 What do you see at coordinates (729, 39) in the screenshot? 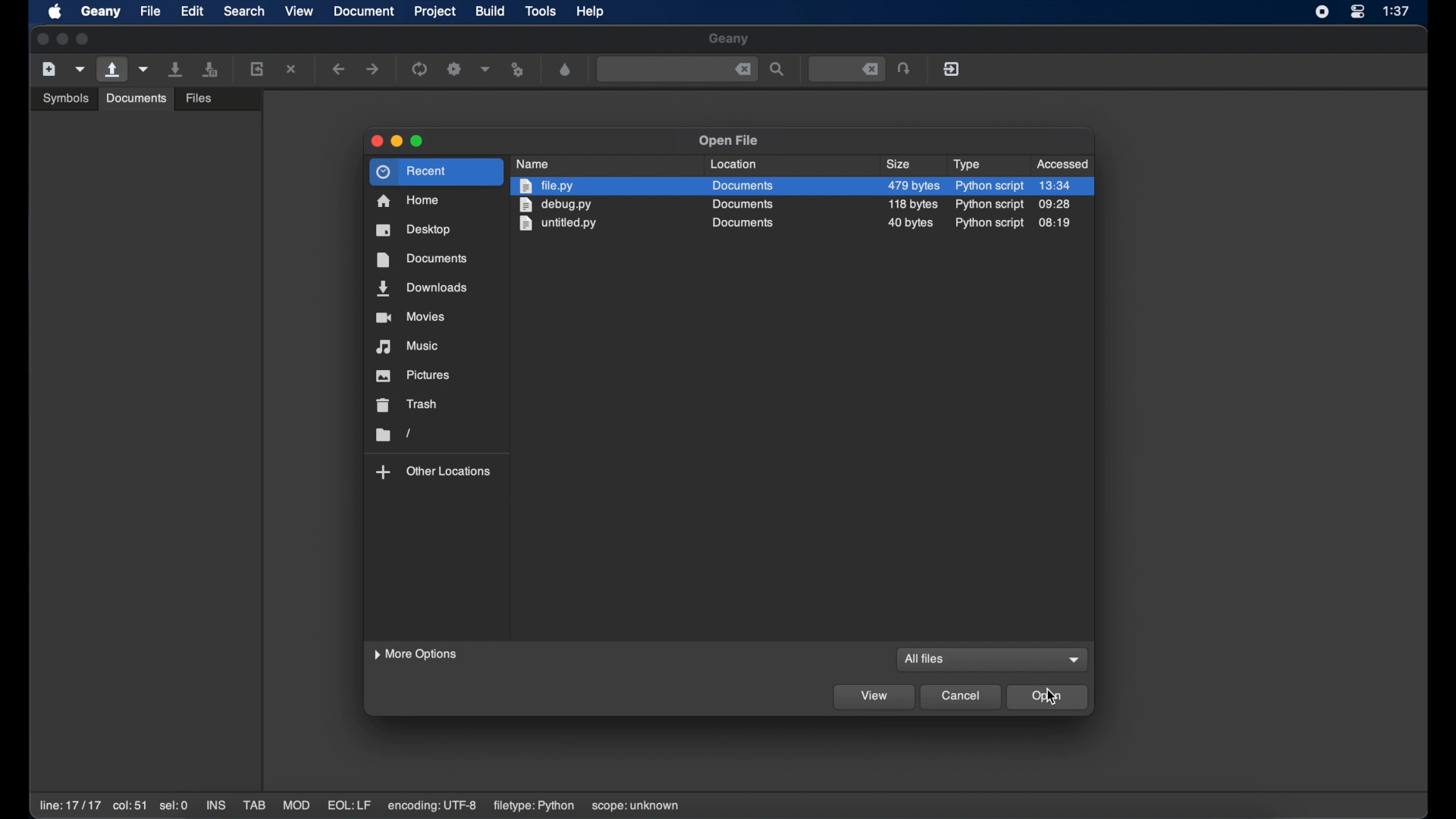
I see `geany` at bounding box center [729, 39].